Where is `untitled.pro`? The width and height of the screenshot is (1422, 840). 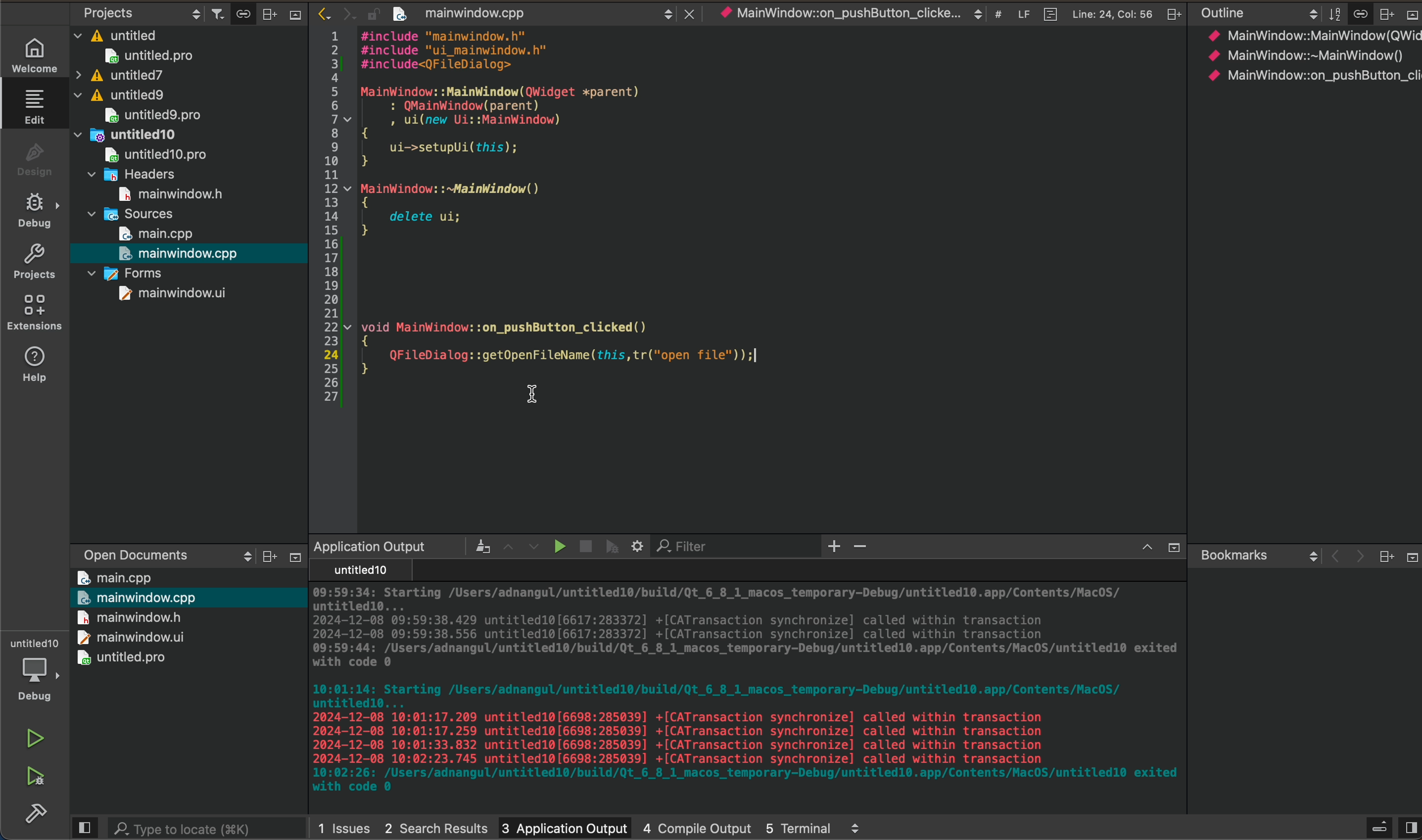
untitled.pro is located at coordinates (148, 55).